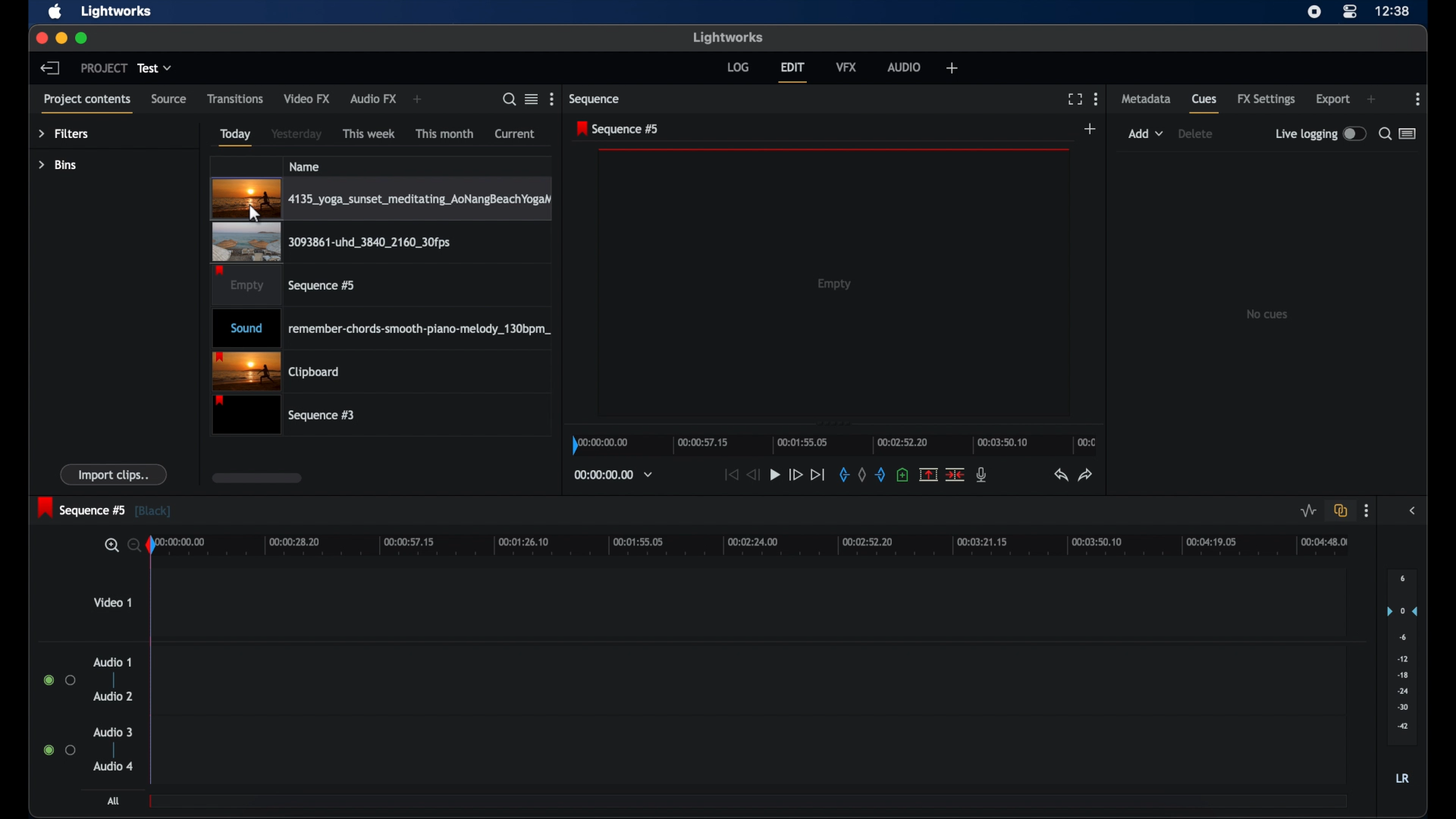 This screenshot has width=1456, height=819. I want to click on fx settings, so click(1266, 99).